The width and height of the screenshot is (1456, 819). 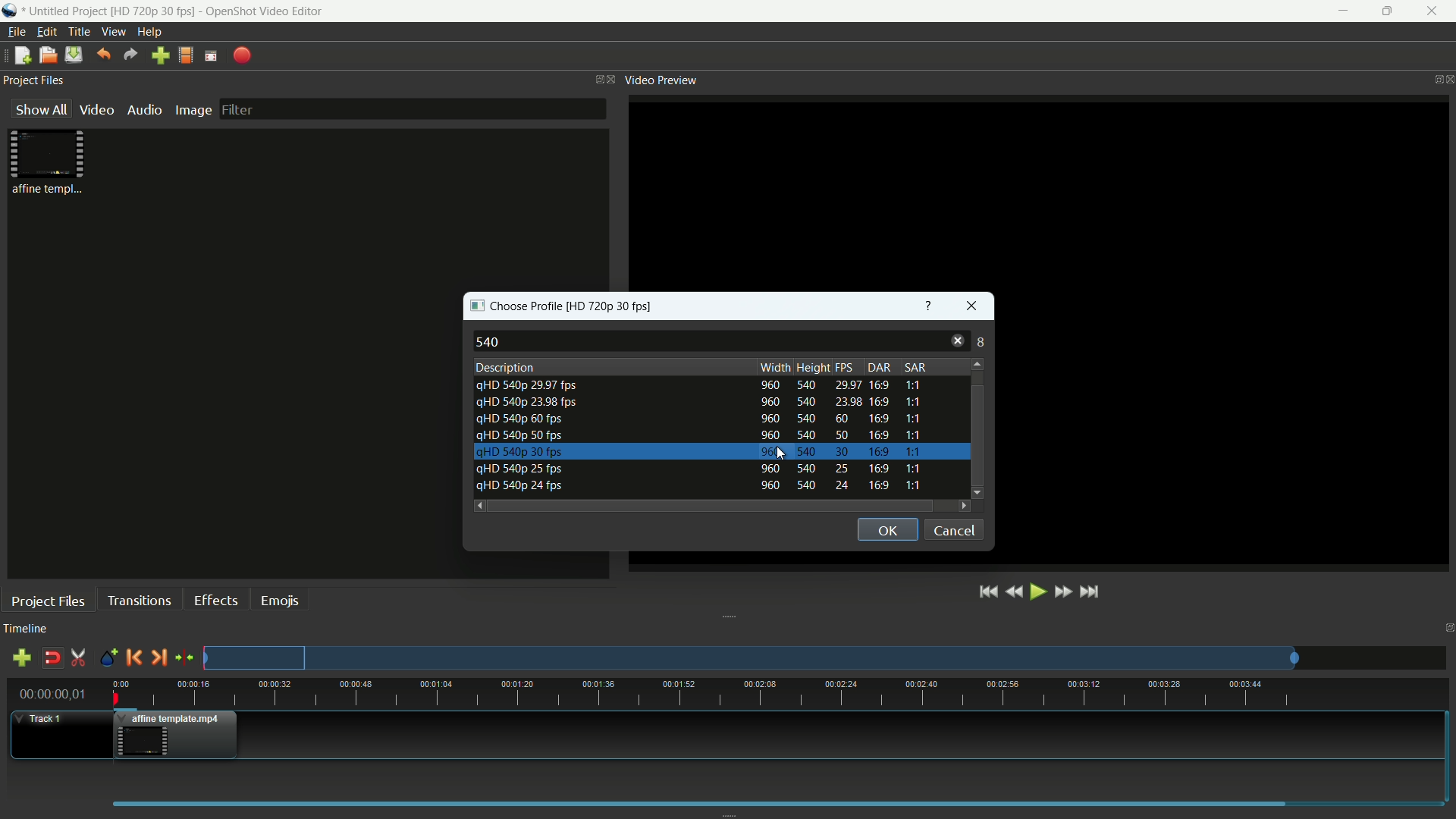 What do you see at coordinates (79, 657) in the screenshot?
I see `enable razor` at bounding box center [79, 657].